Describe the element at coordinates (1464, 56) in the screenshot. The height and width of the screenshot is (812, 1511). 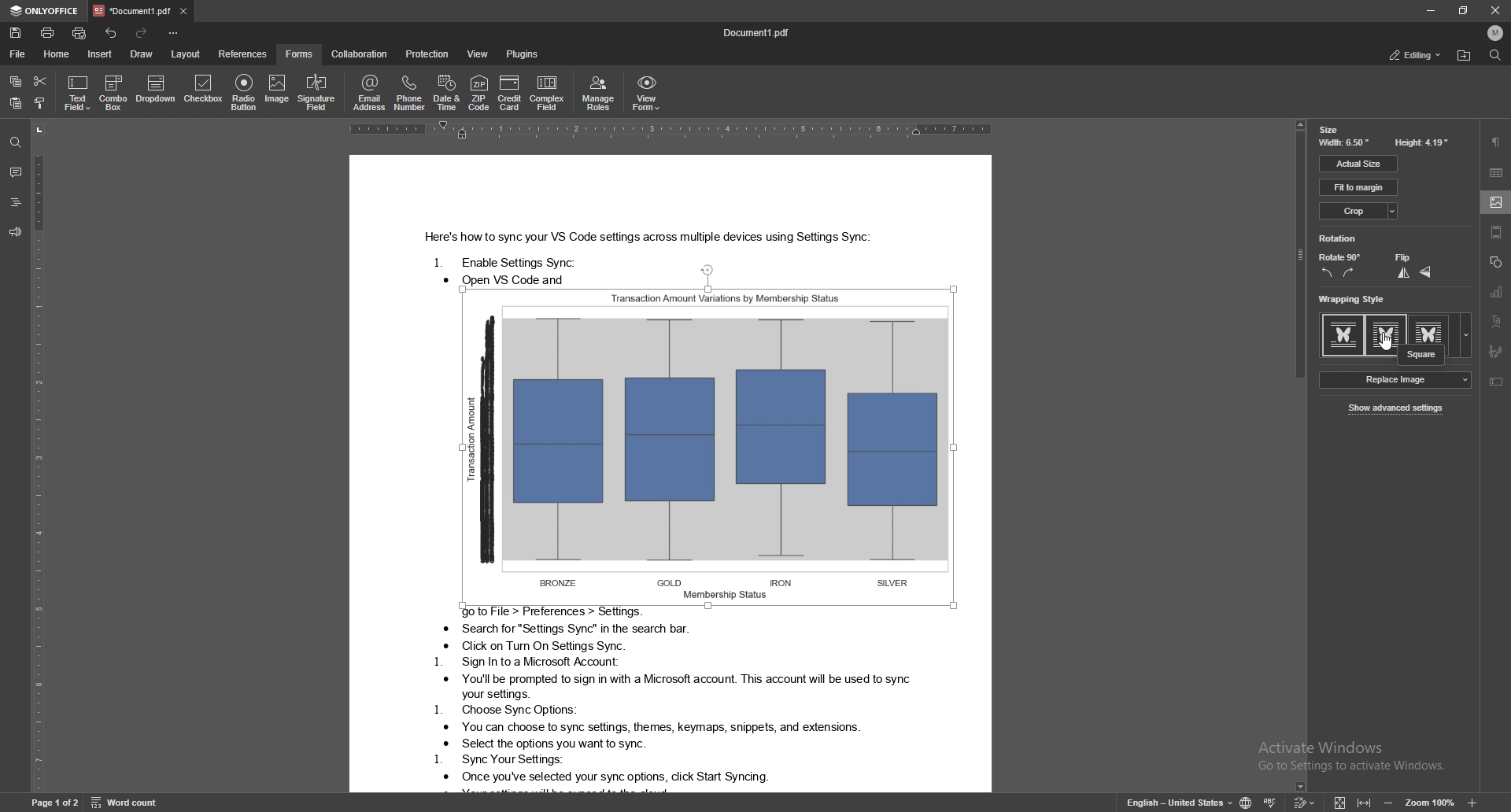
I see `locate file` at that location.